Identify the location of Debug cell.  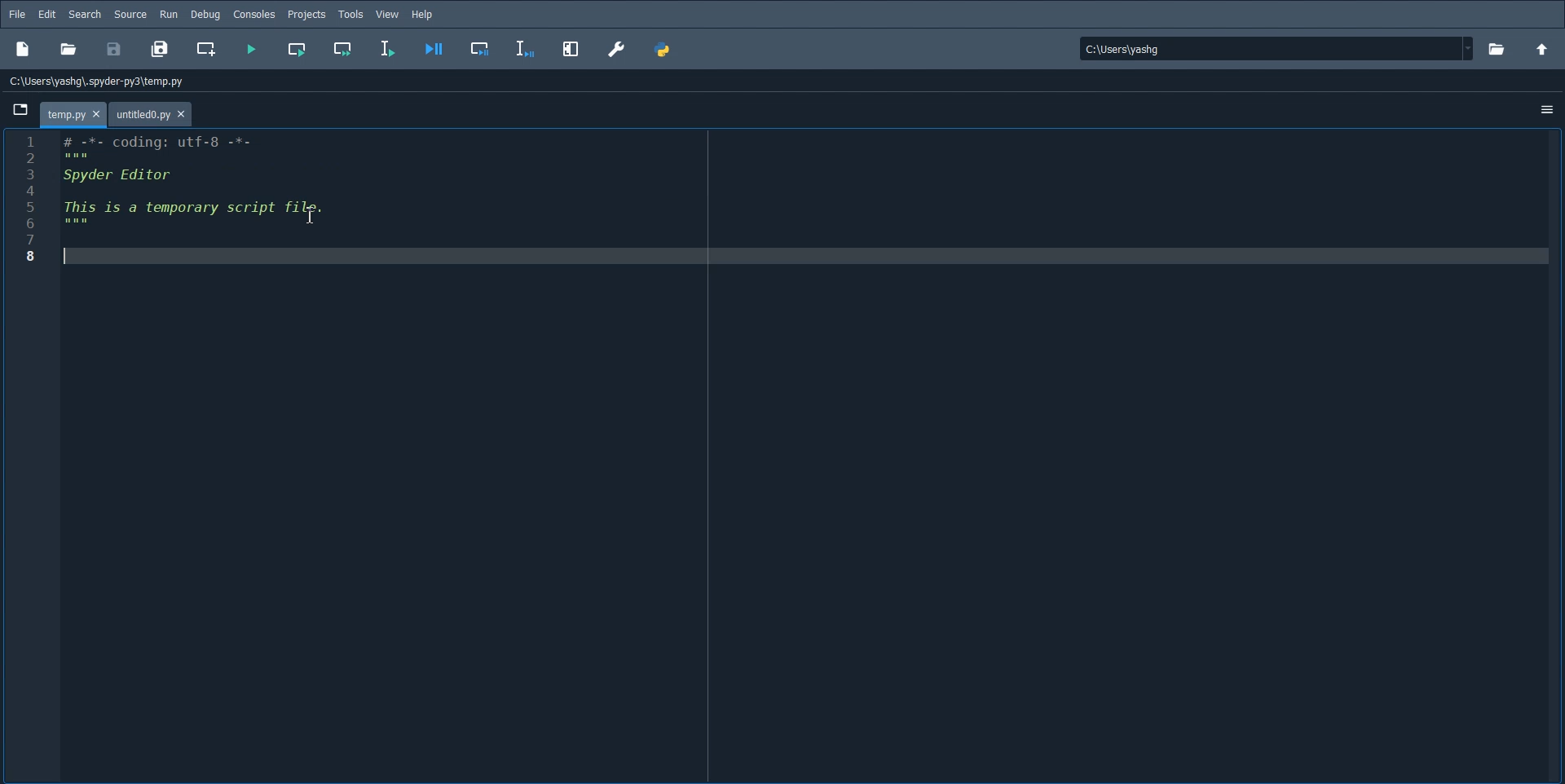
(479, 51).